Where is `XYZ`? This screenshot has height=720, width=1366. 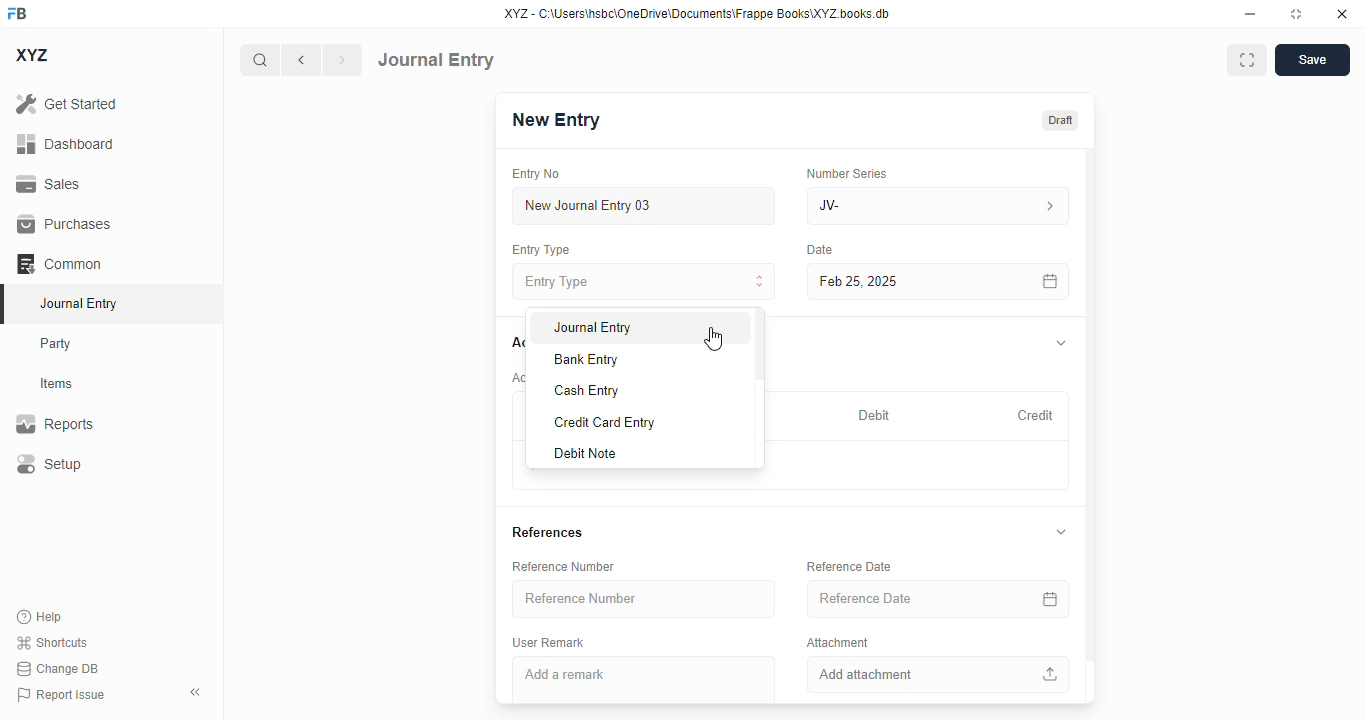 XYZ is located at coordinates (33, 55).